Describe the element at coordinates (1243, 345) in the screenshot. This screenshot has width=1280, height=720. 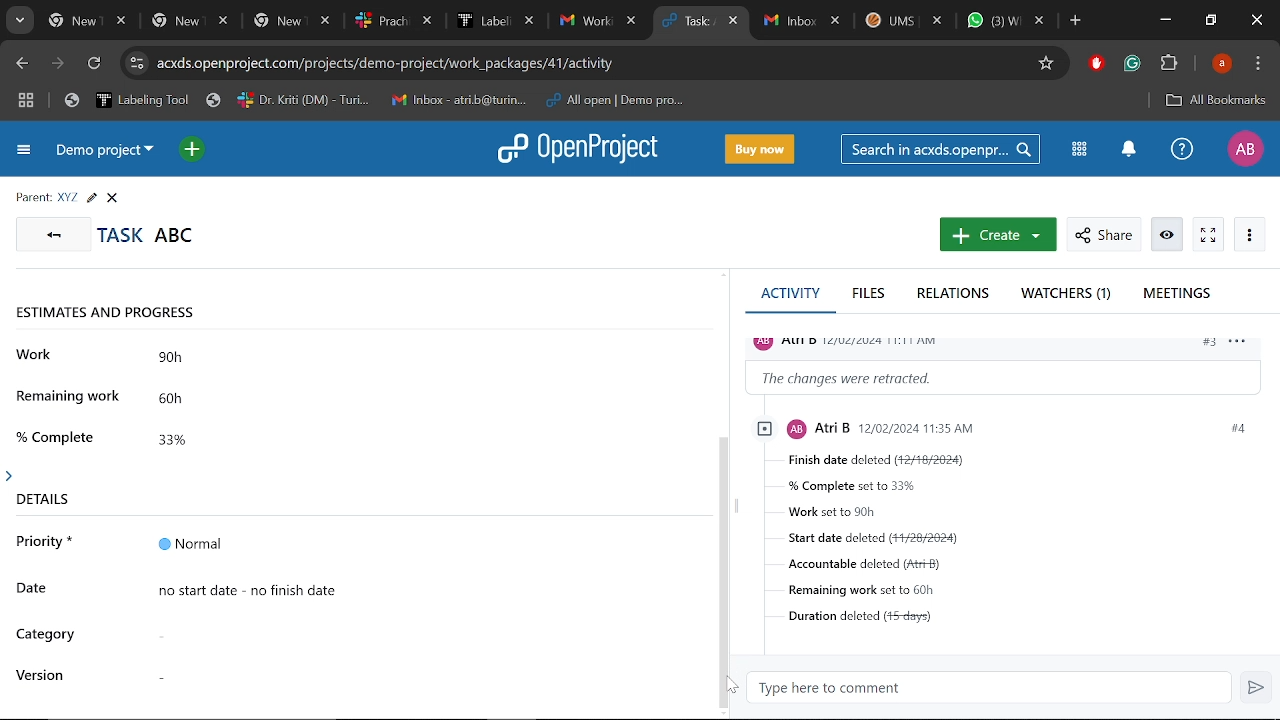
I see `options` at that location.